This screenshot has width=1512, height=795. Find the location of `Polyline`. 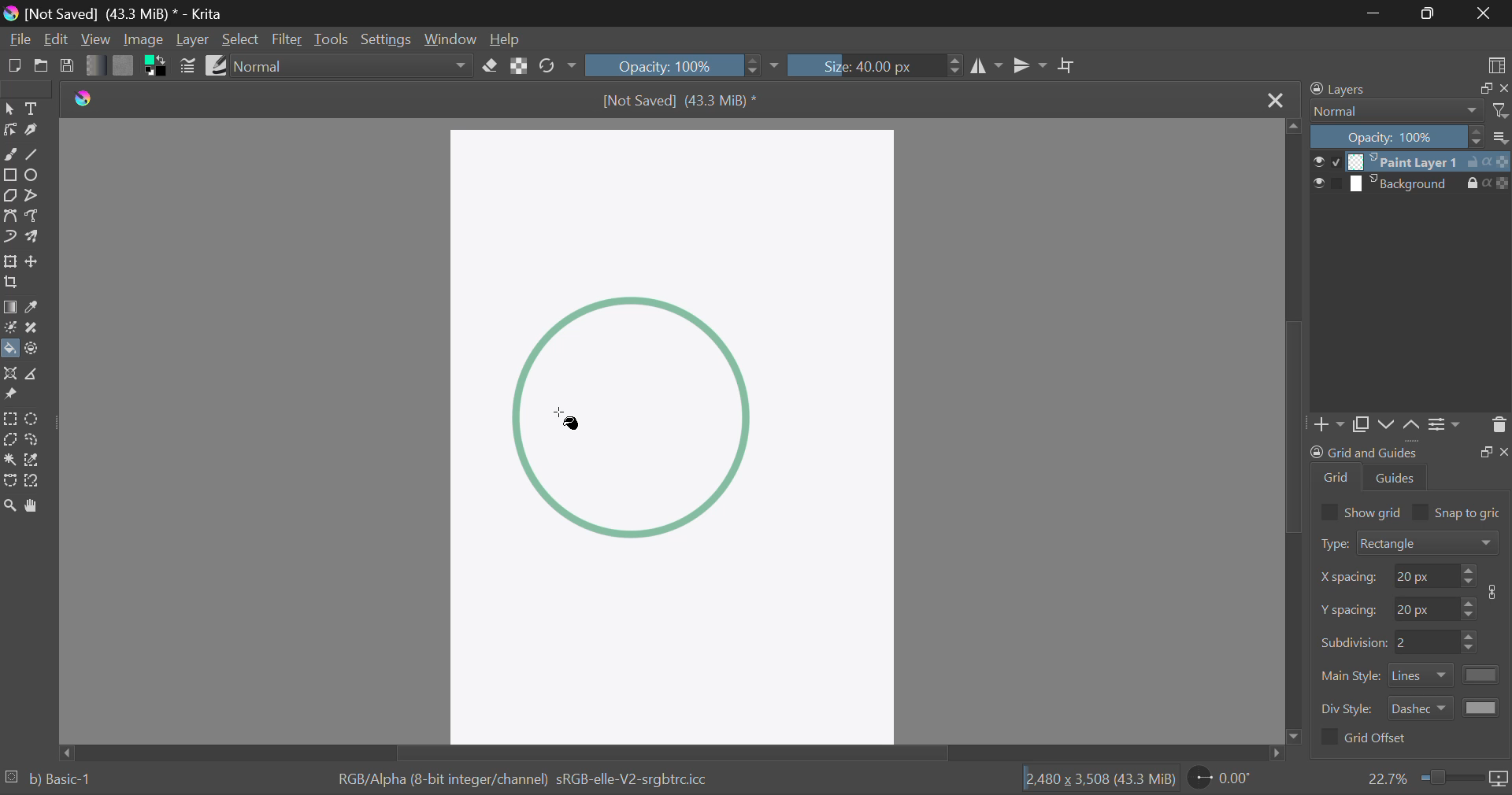

Polyline is located at coordinates (33, 194).